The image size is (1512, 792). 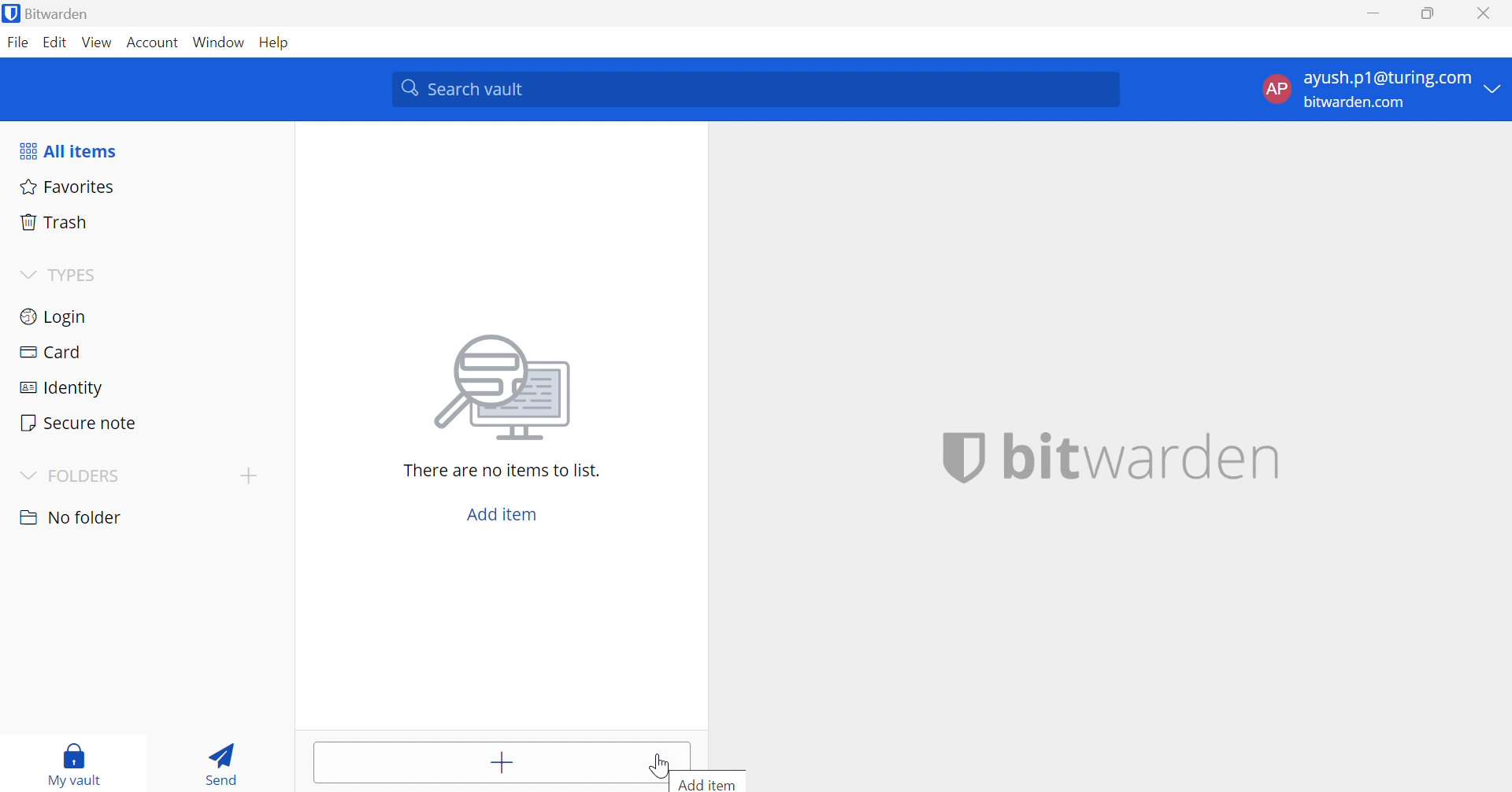 I want to click on Add item, so click(x=502, y=516).